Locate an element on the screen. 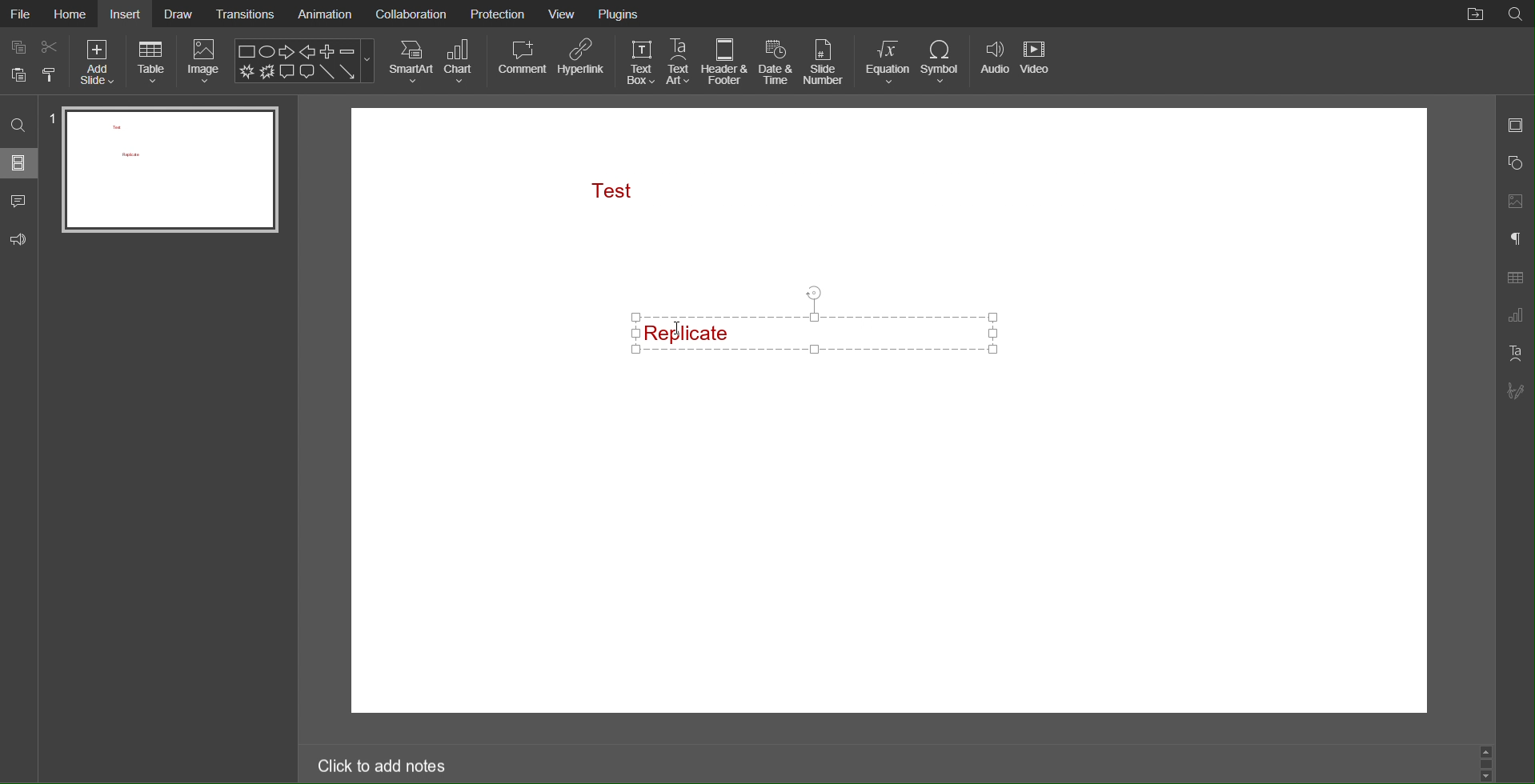 The image size is (1535, 784). Slide Number is located at coordinates (822, 62).